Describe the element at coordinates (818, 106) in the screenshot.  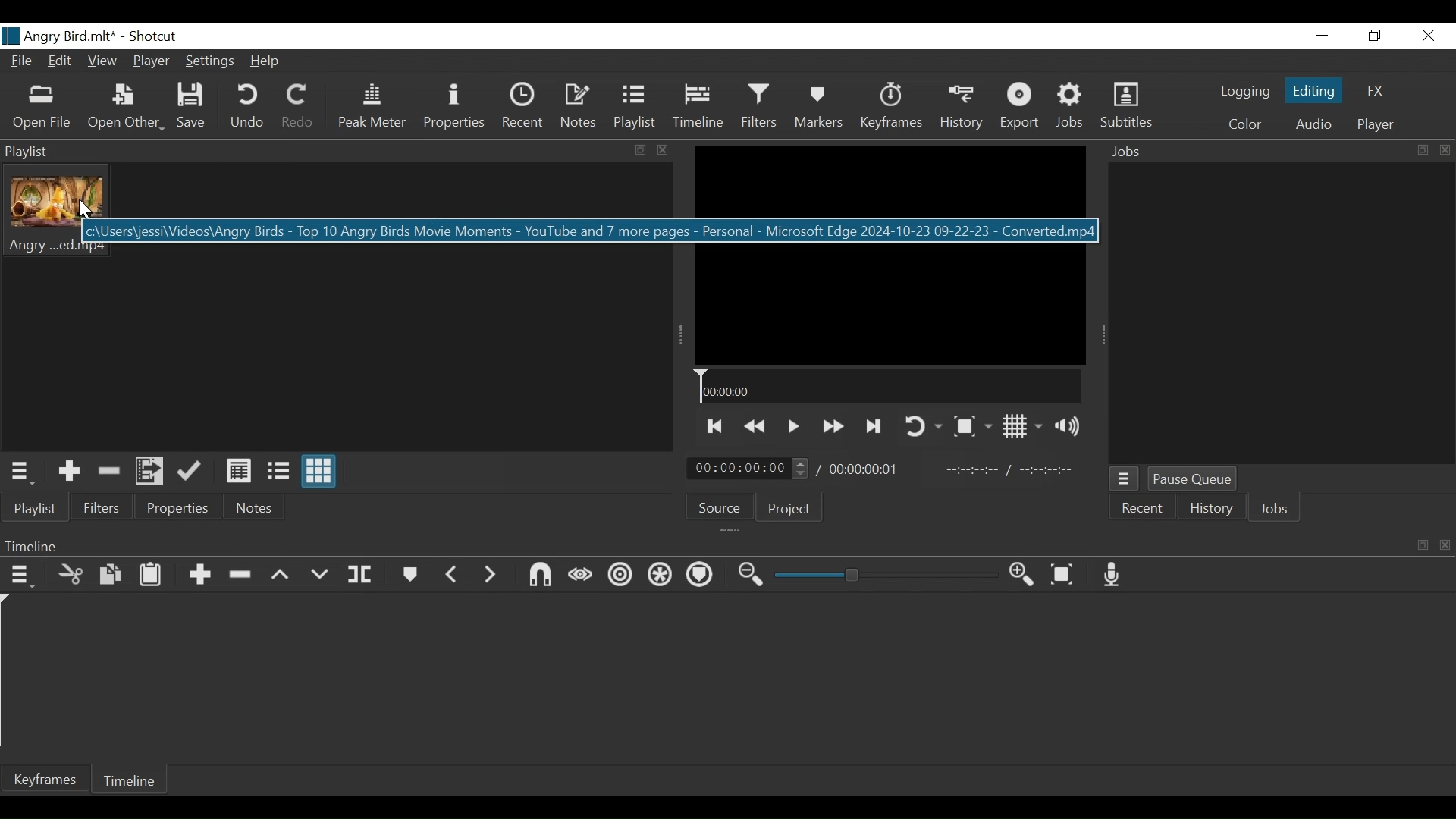
I see `Markers` at that location.